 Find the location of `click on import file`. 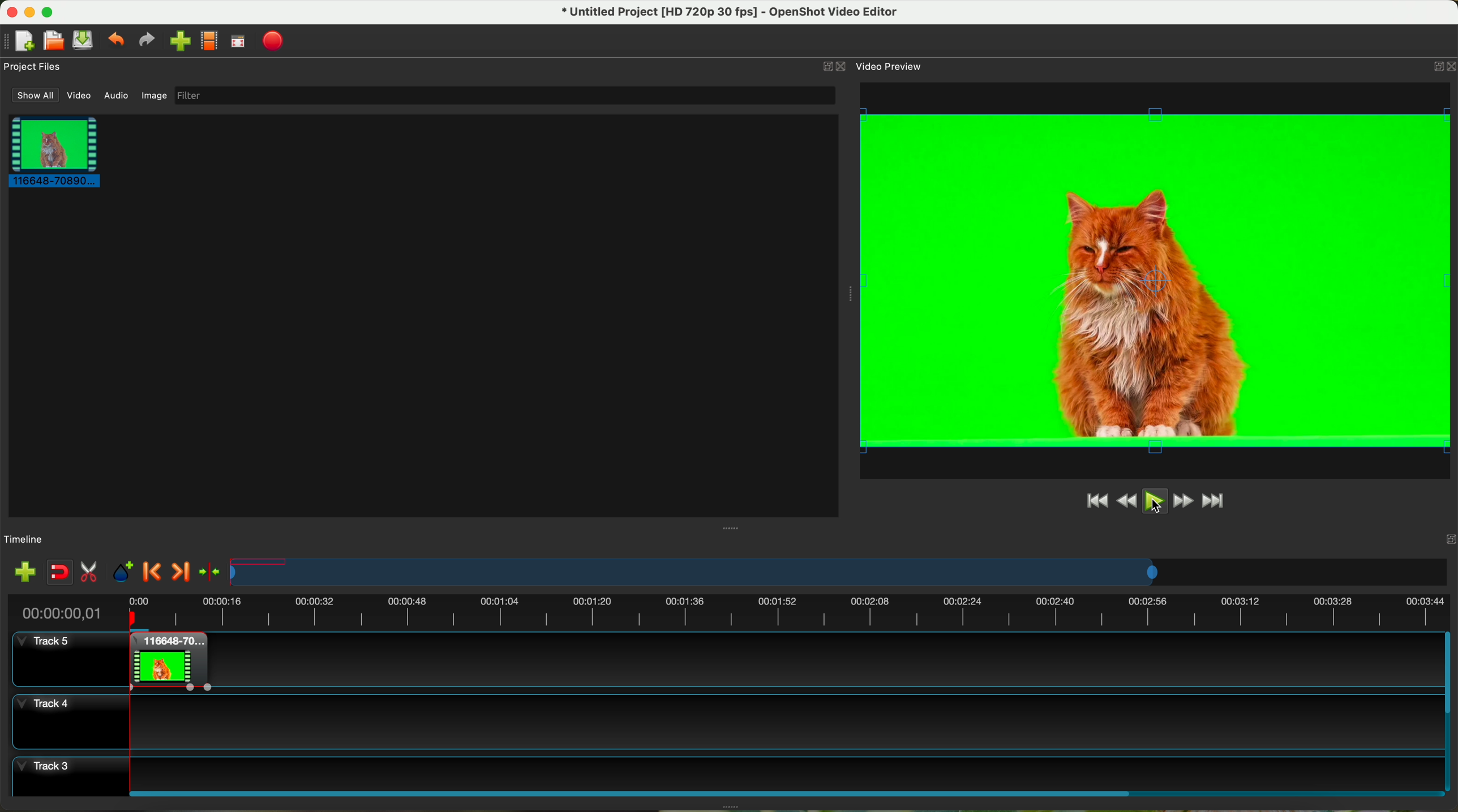

click on import file is located at coordinates (177, 37).